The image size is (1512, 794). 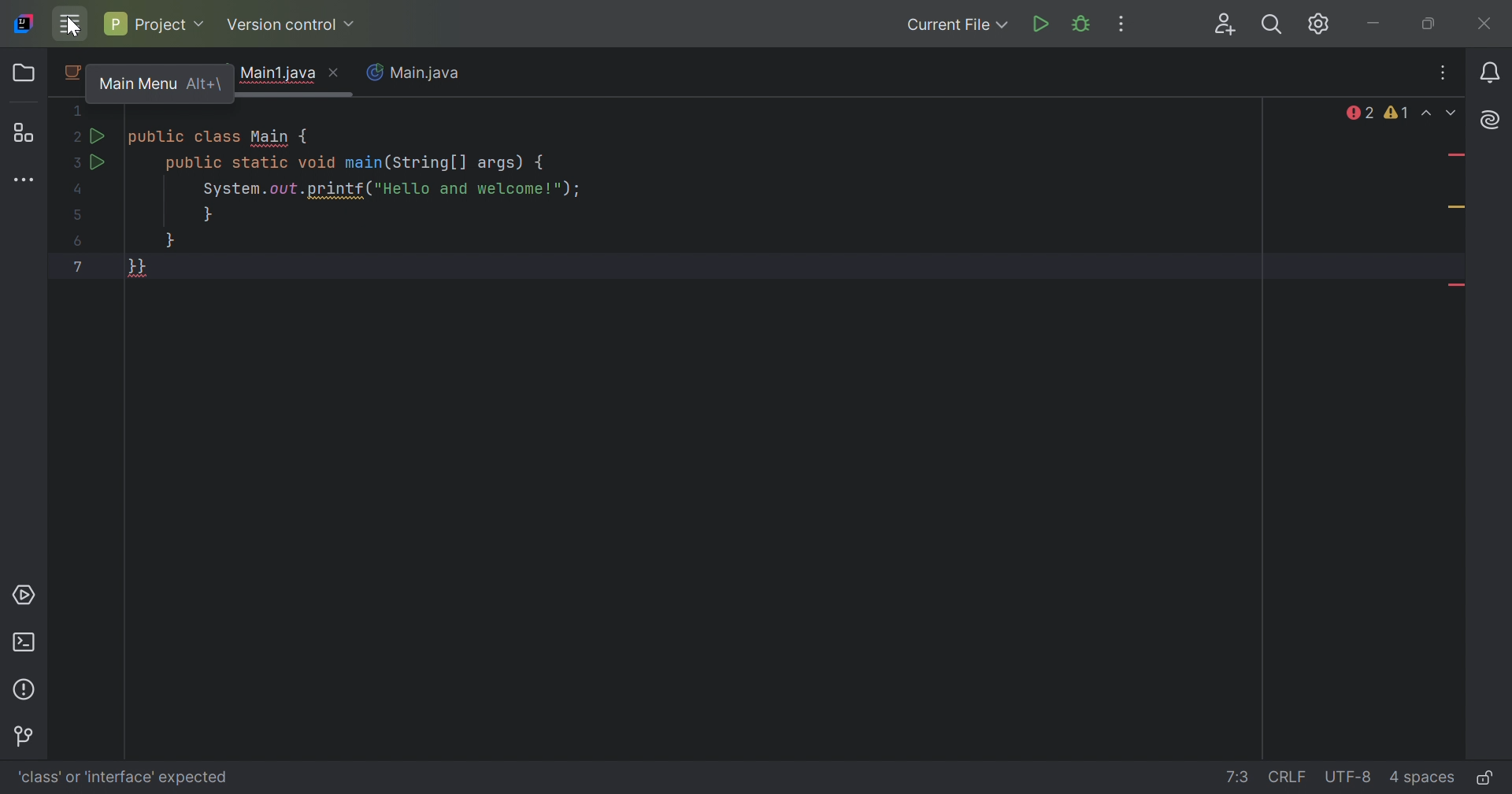 What do you see at coordinates (24, 180) in the screenshot?
I see `More tool windows` at bounding box center [24, 180].